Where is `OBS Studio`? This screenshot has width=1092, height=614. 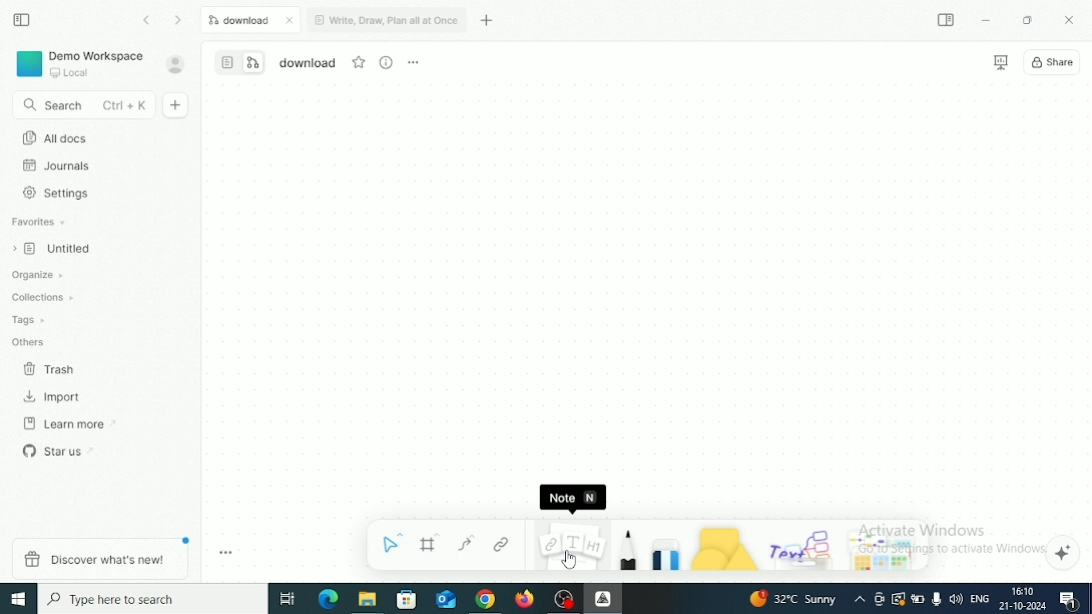
OBS Studio is located at coordinates (564, 600).